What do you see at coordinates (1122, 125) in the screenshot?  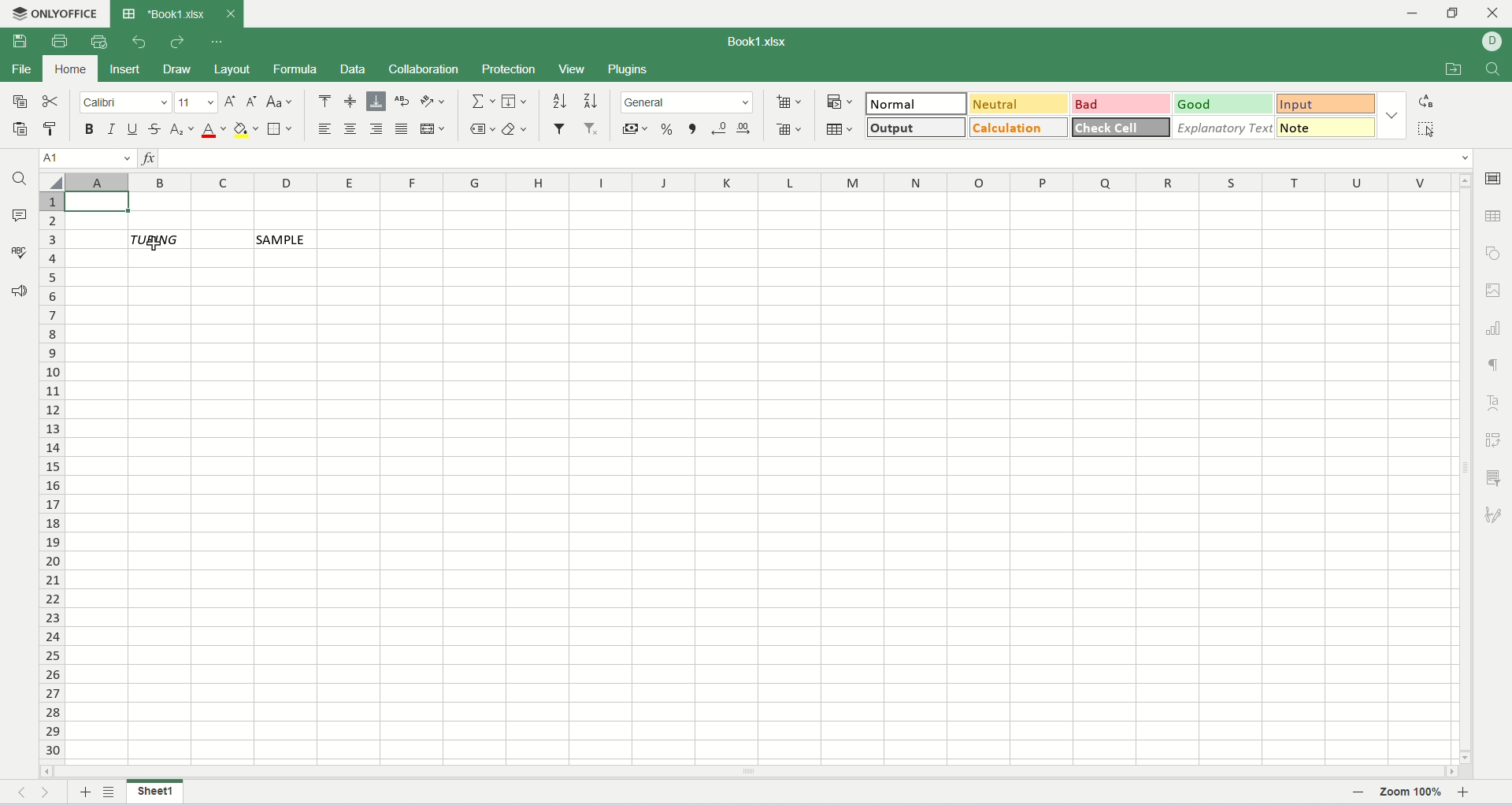 I see `check cell` at bounding box center [1122, 125].